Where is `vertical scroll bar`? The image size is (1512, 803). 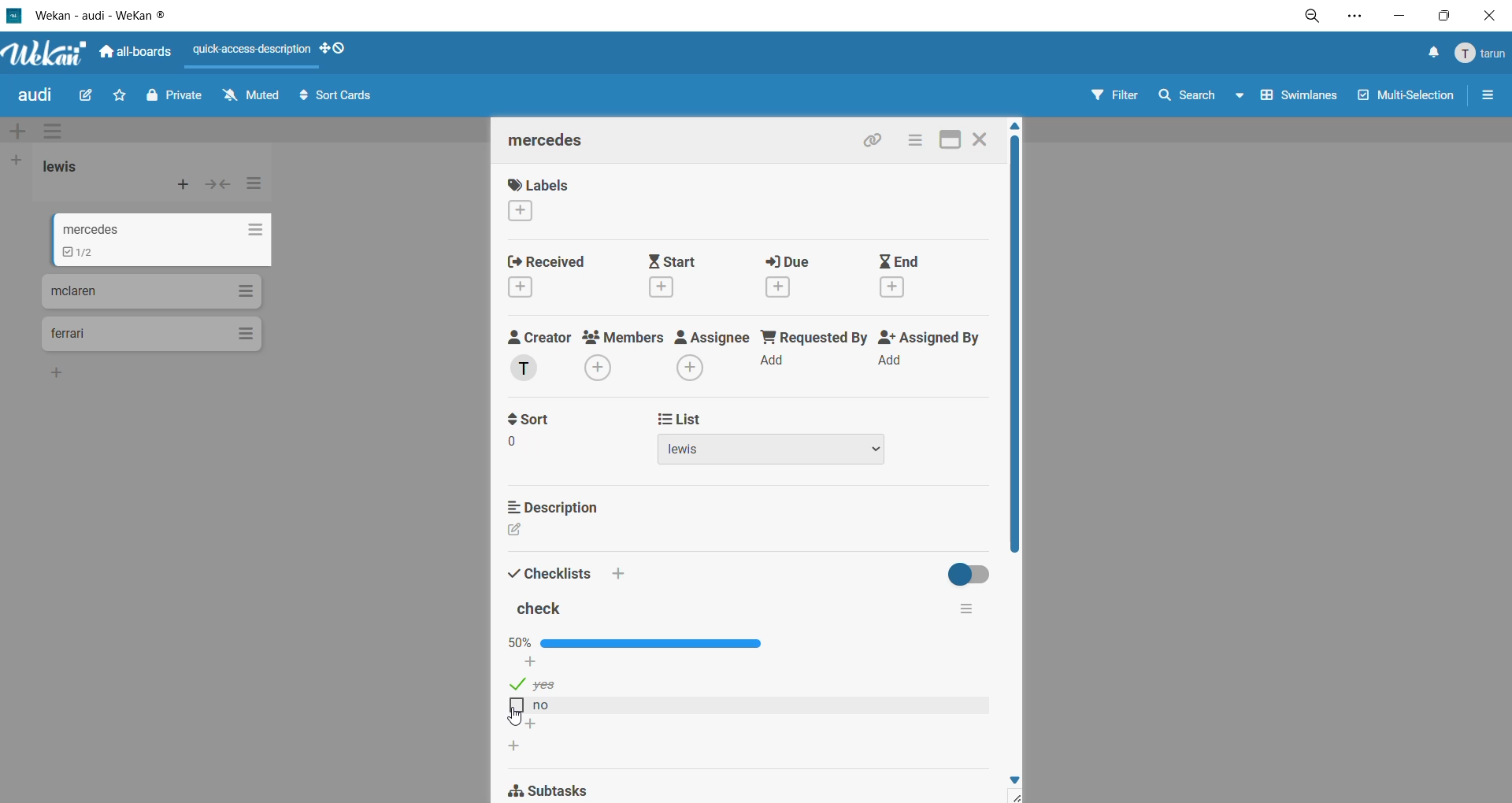
vertical scroll bar is located at coordinates (1014, 345).